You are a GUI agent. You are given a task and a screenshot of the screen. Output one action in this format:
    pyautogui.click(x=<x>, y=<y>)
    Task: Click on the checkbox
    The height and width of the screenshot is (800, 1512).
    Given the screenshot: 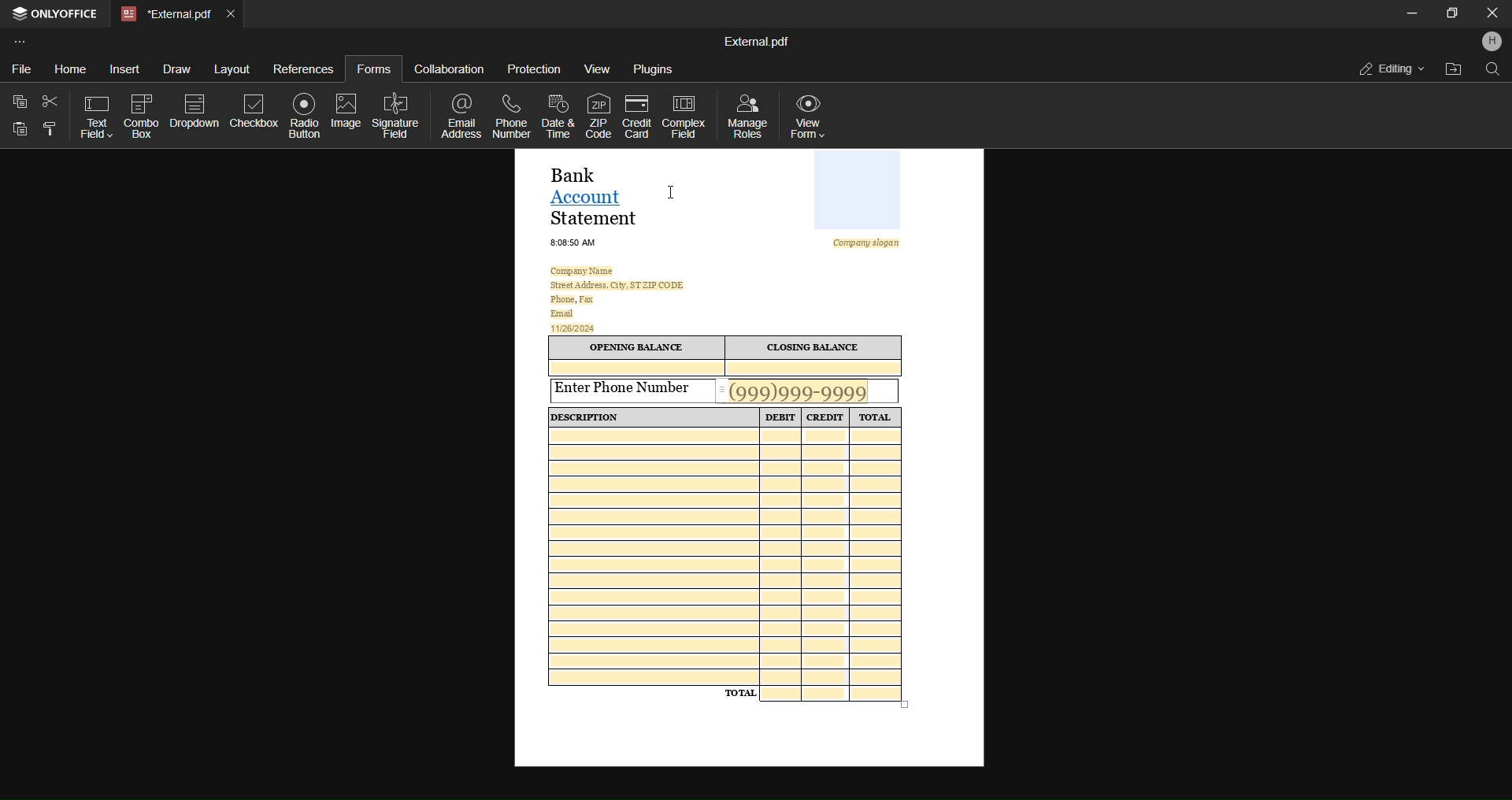 What is the action you would take?
    pyautogui.click(x=250, y=109)
    